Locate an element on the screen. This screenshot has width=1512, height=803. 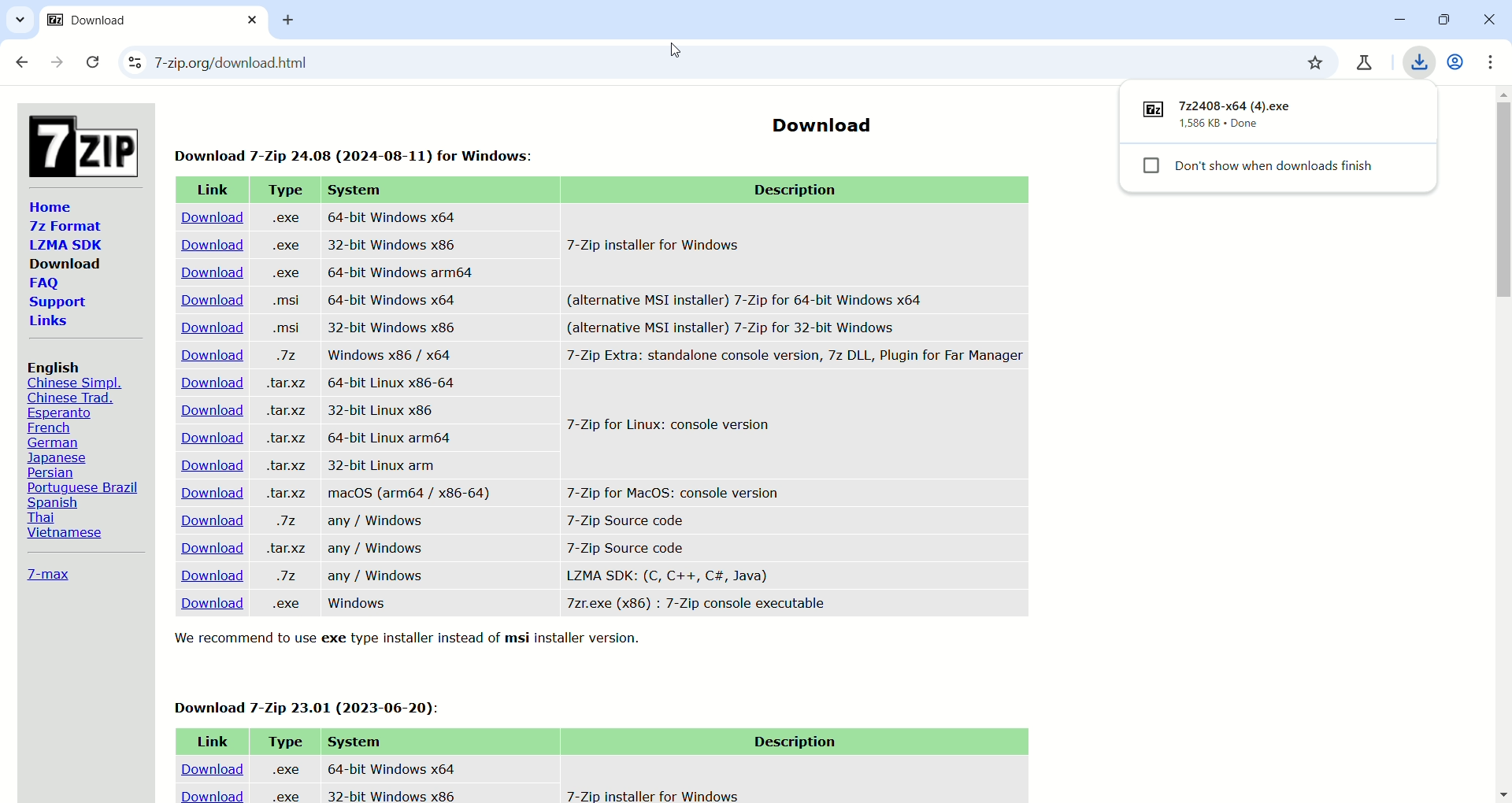
.tarxz is located at coordinates (289, 383).